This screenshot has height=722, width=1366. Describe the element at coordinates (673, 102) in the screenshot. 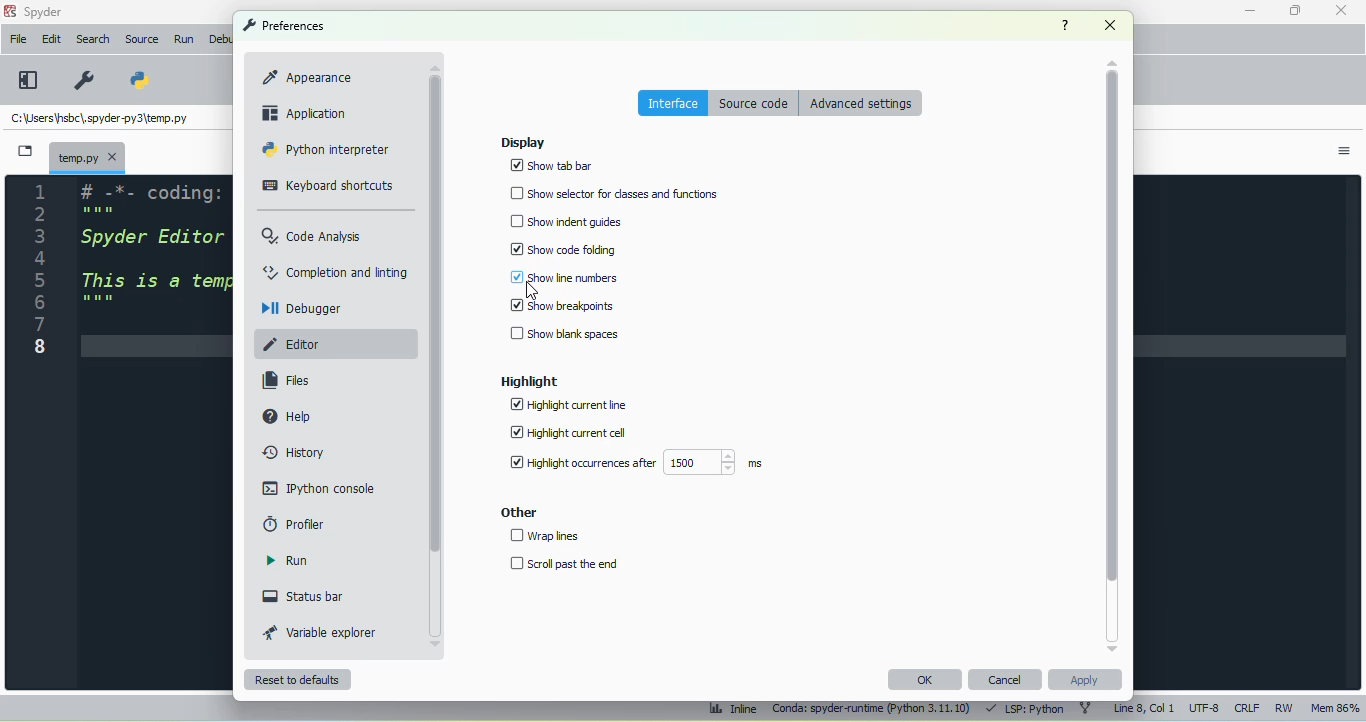

I see `interface` at that location.